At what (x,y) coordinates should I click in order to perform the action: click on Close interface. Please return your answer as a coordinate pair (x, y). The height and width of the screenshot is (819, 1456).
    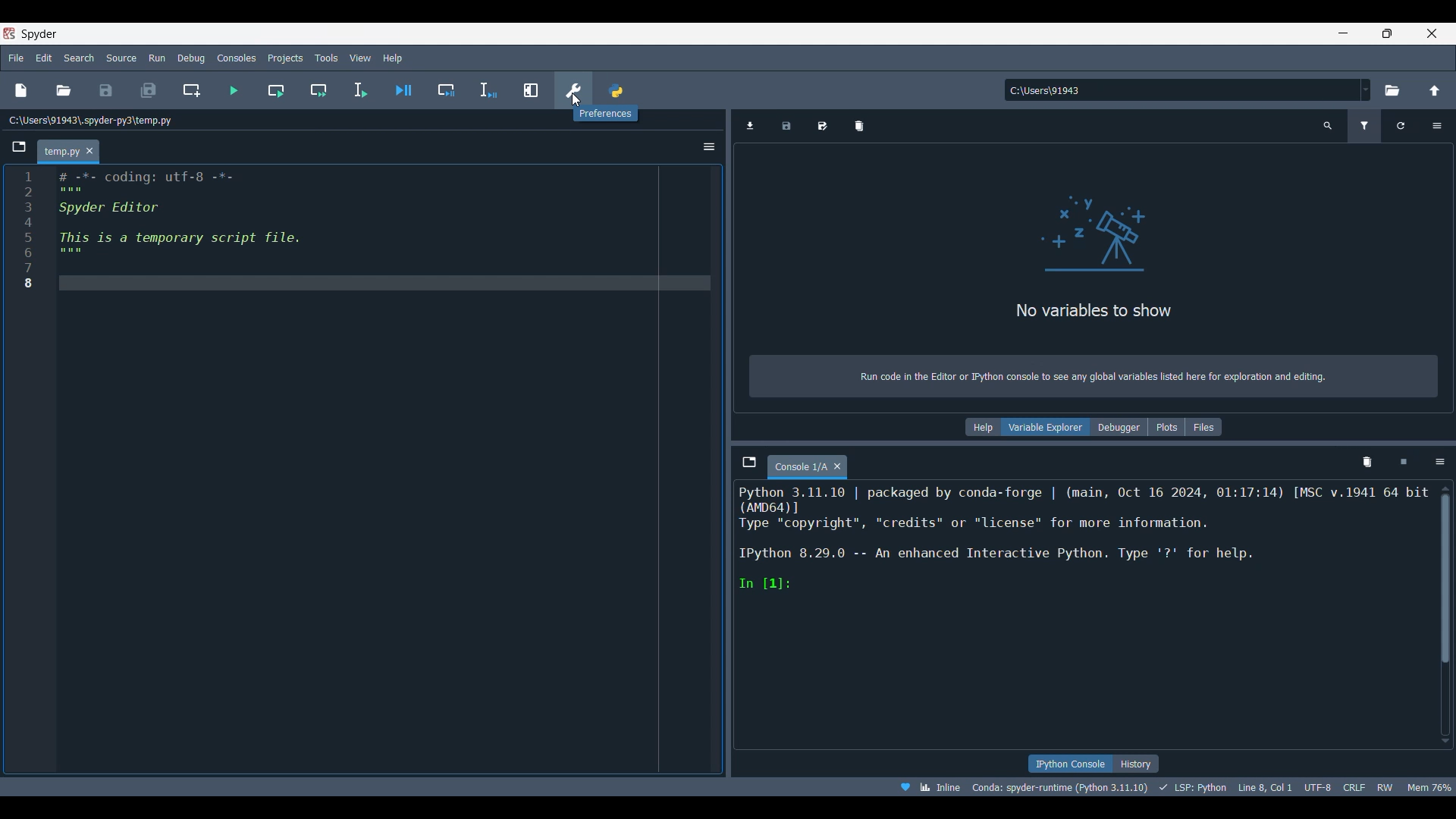
    Looking at the image, I should click on (1432, 33).